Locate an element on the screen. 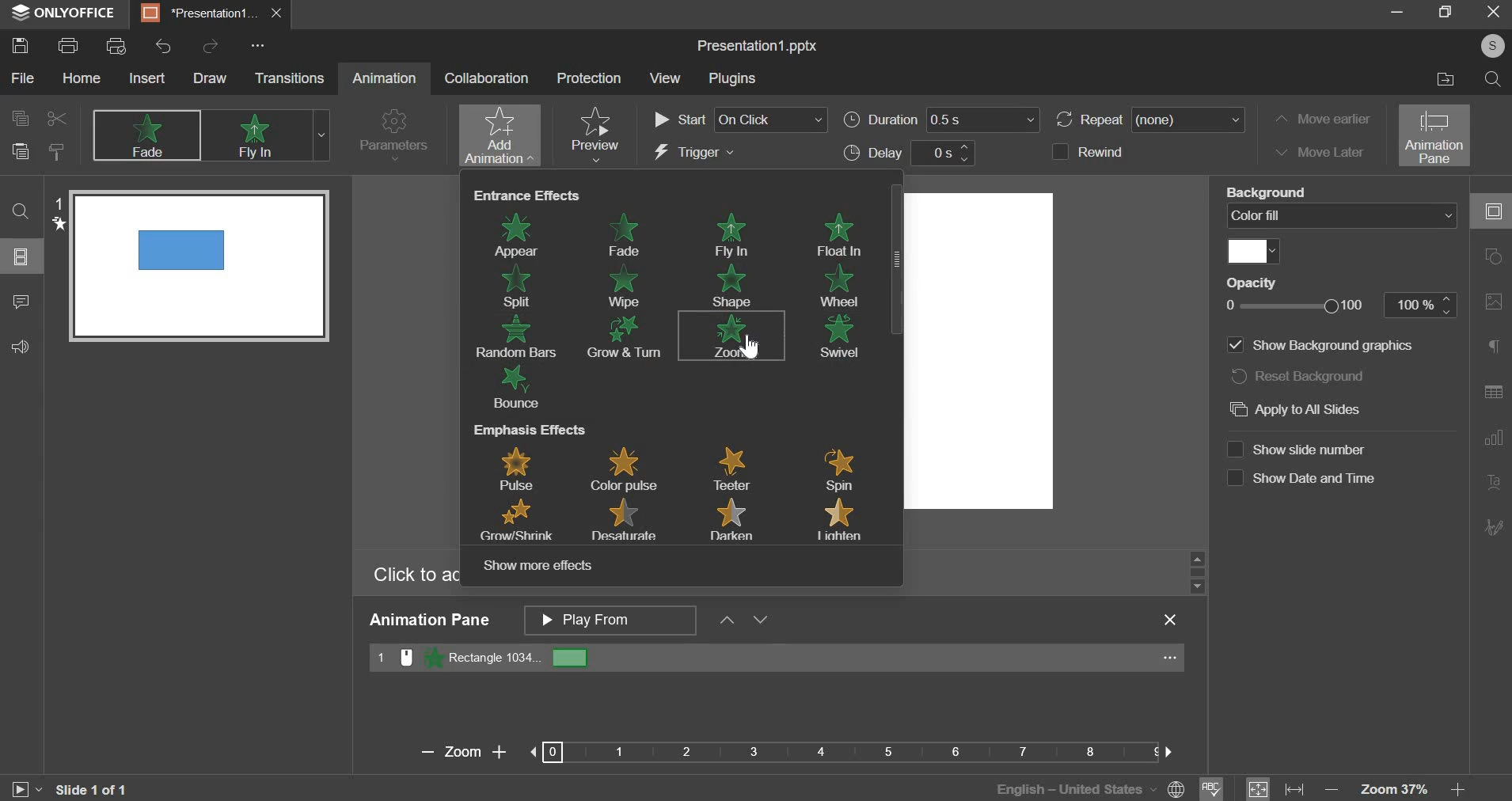 The height and width of the screenshot is (801, 1512). Insert Audio/Video is located at coordinates (1495, 482).